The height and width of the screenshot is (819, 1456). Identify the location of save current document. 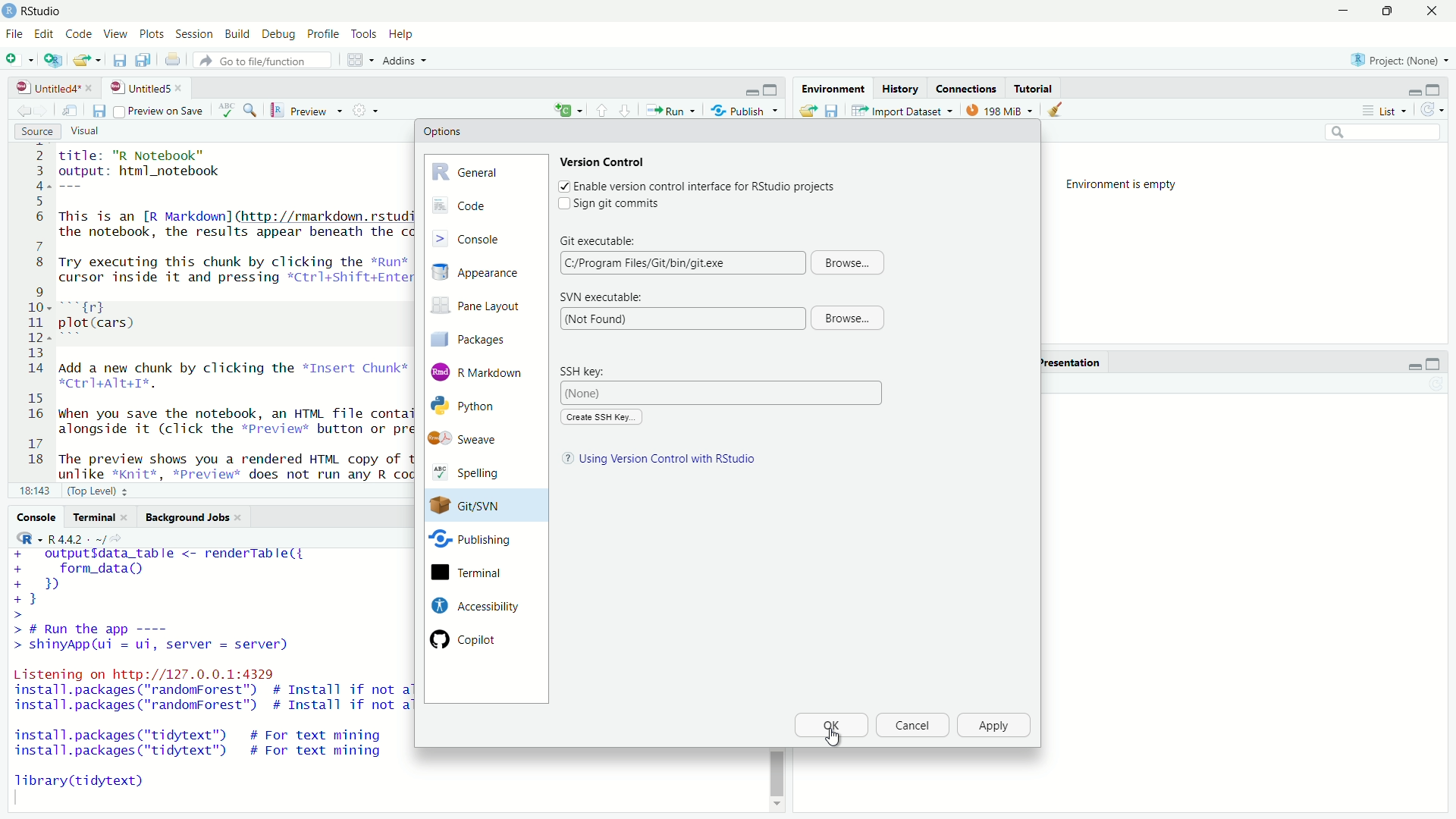
(120, 60).